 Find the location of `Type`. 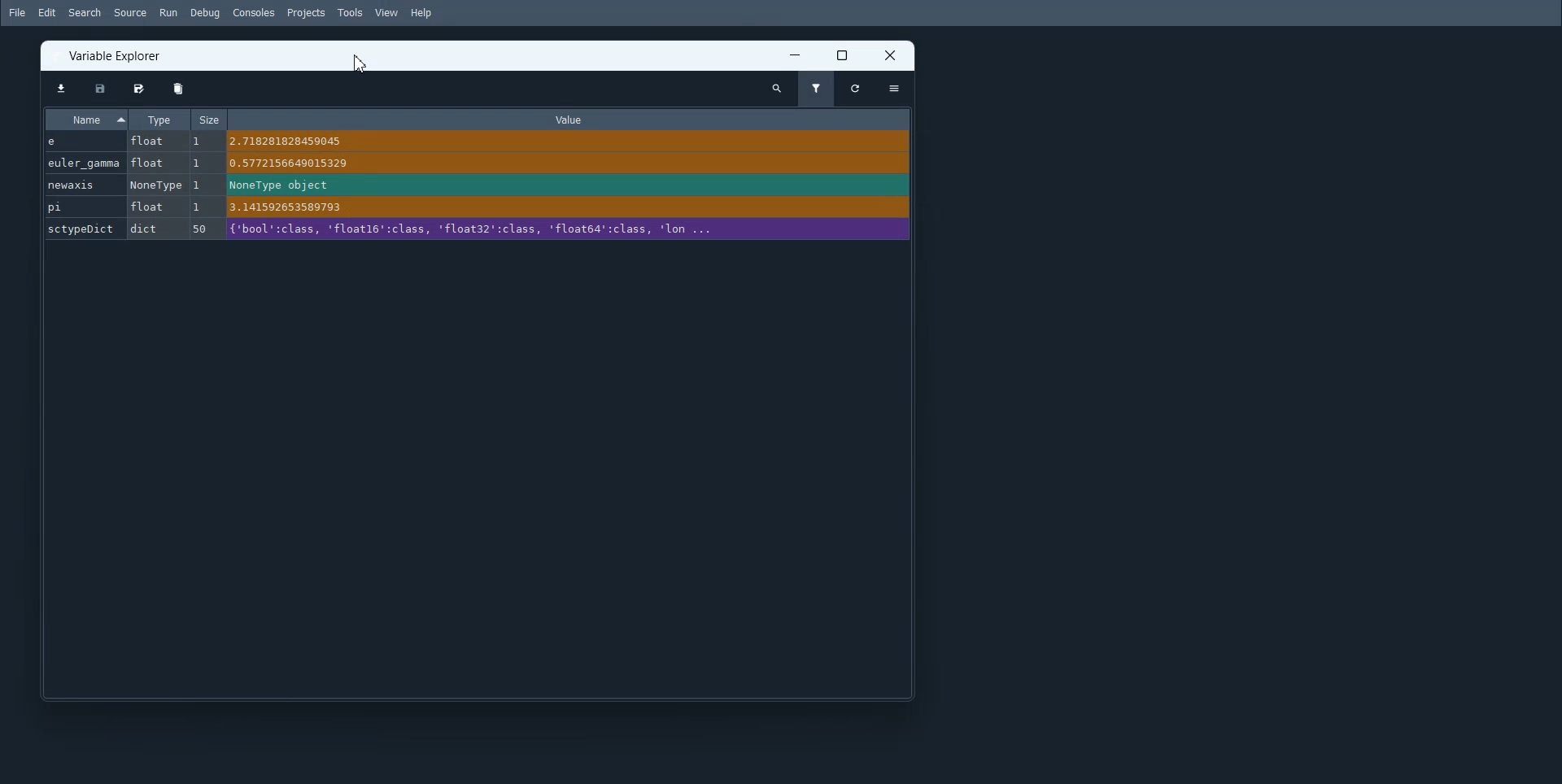

Type is located at coordinates (159, 120).